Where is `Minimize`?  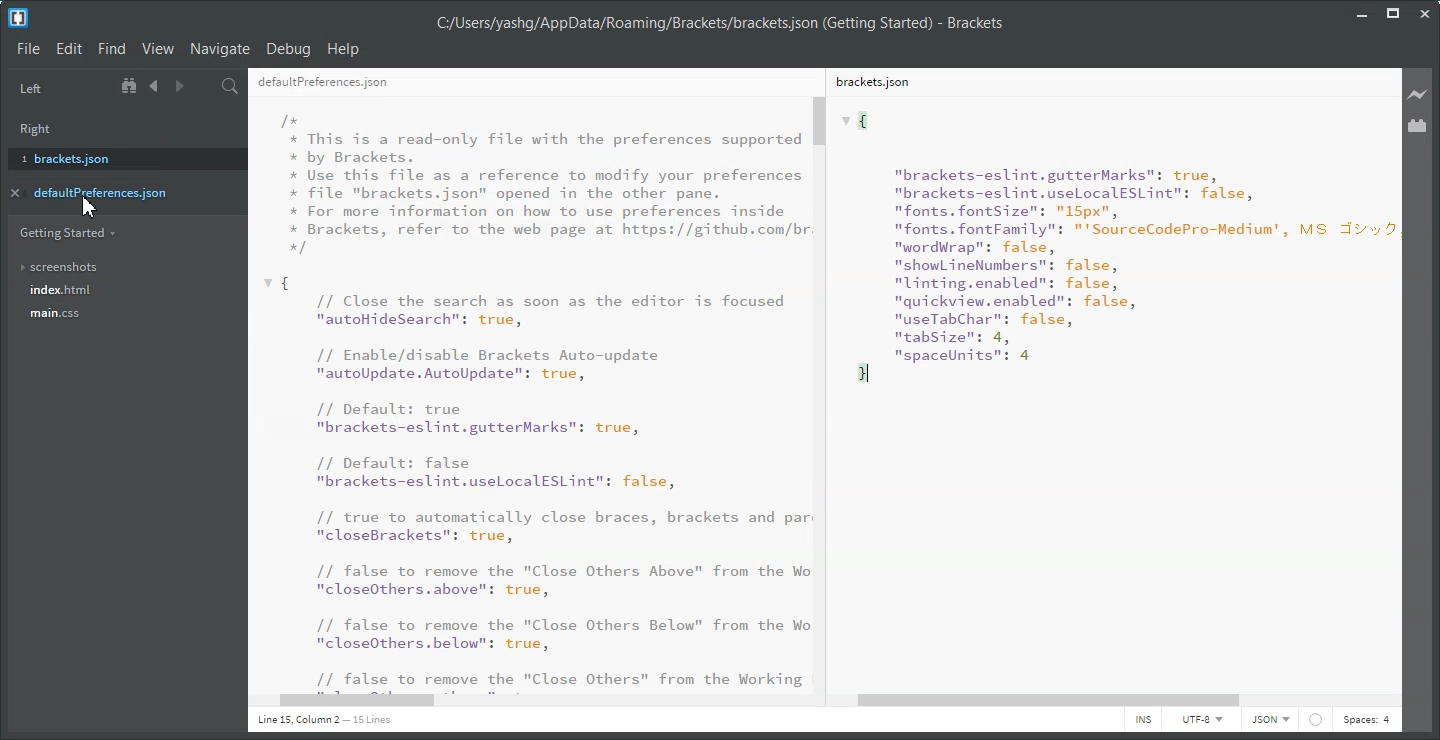 Minimize is located at coordinates (1363, 12).